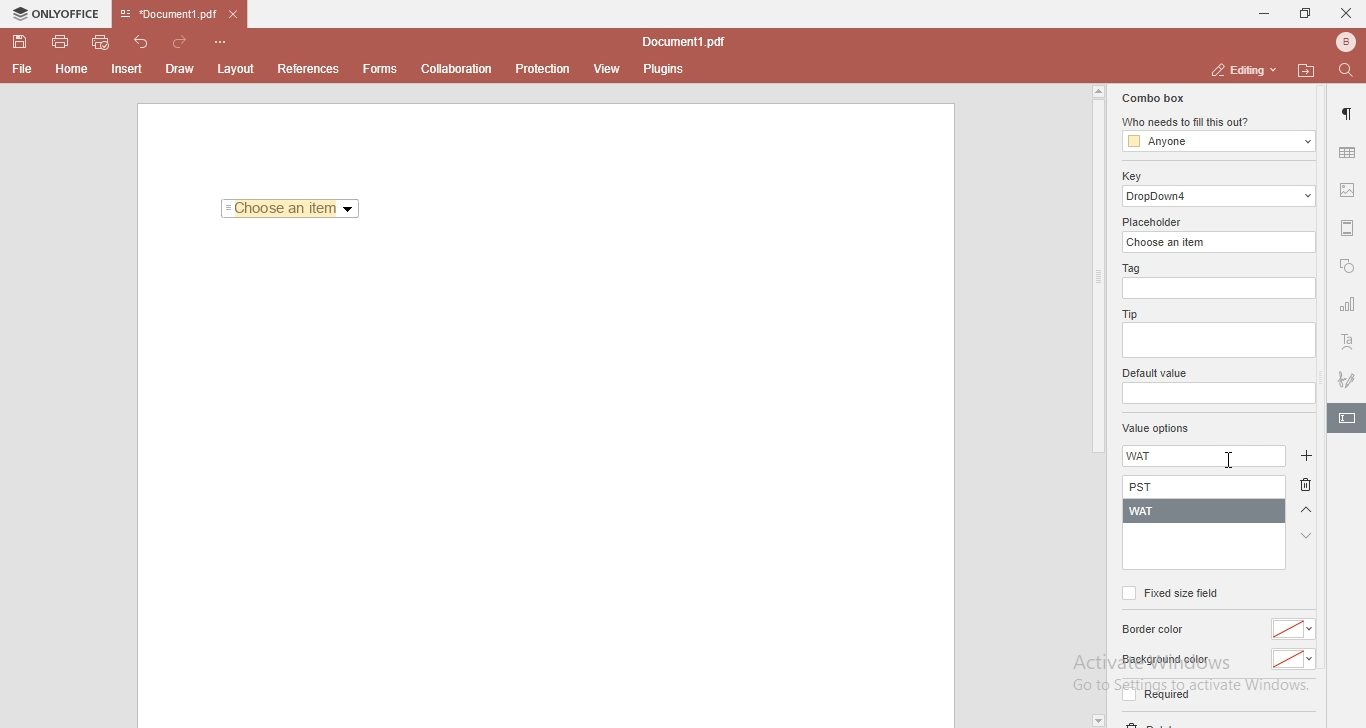 Image resolution: width=1366 pixels, height=728 pixels. What do you see at coordinates (184, 38) in the screenshot?
I see `redo` at bounding box center [184, 38].